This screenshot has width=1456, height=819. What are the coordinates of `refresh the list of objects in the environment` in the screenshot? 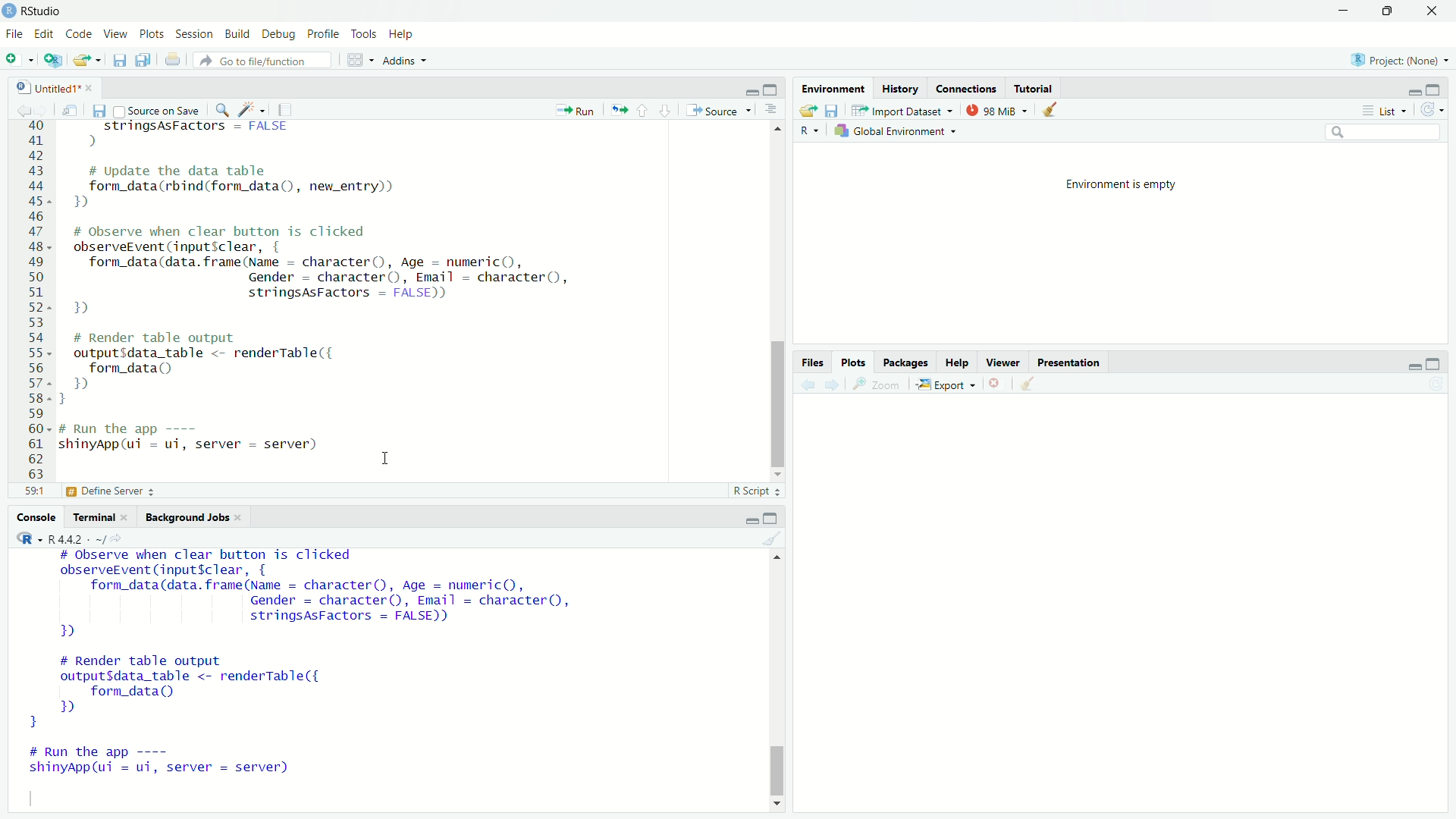 It's located at (1438, 111).